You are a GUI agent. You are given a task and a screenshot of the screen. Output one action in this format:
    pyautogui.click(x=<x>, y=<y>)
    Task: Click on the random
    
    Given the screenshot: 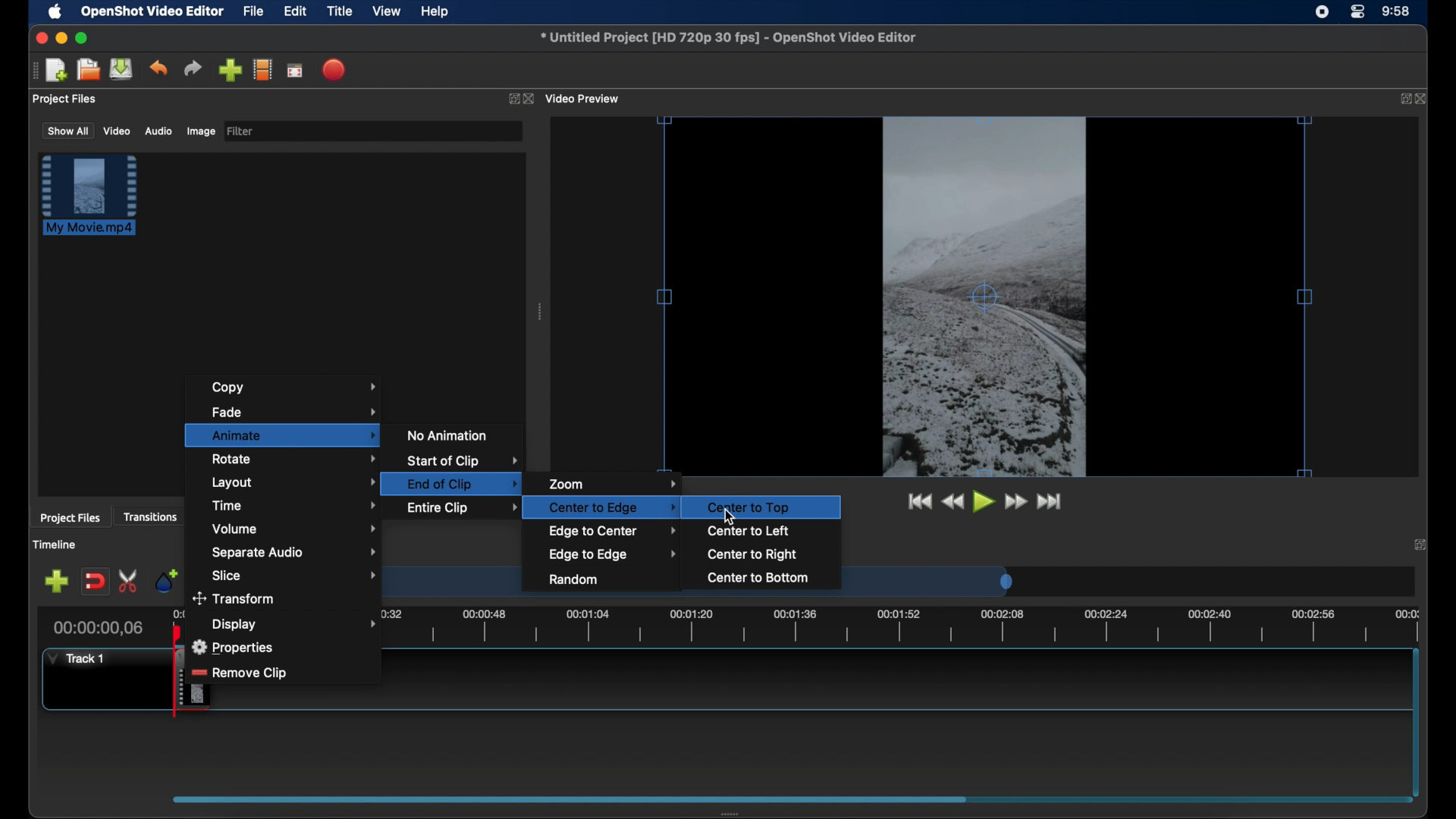 What is the action you would take?
    pyautogui.click(x=575, y=580)
    